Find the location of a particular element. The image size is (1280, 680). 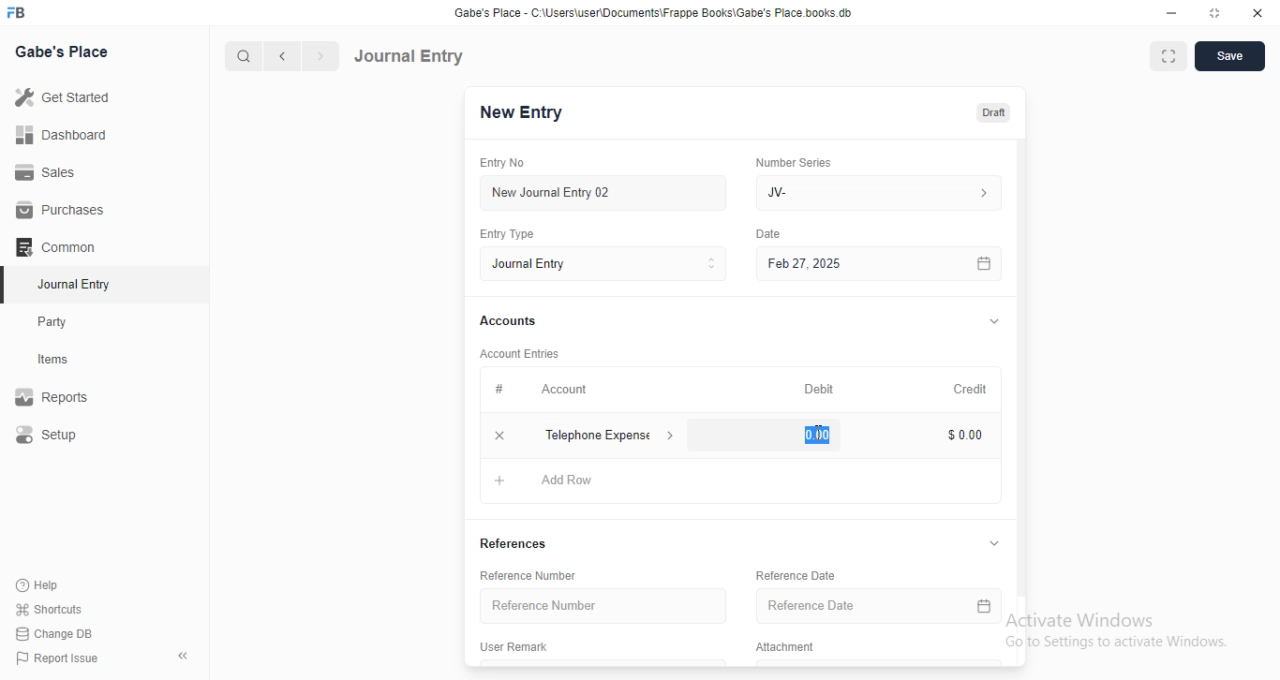

| Change DB is located at coordinates (55, 632).